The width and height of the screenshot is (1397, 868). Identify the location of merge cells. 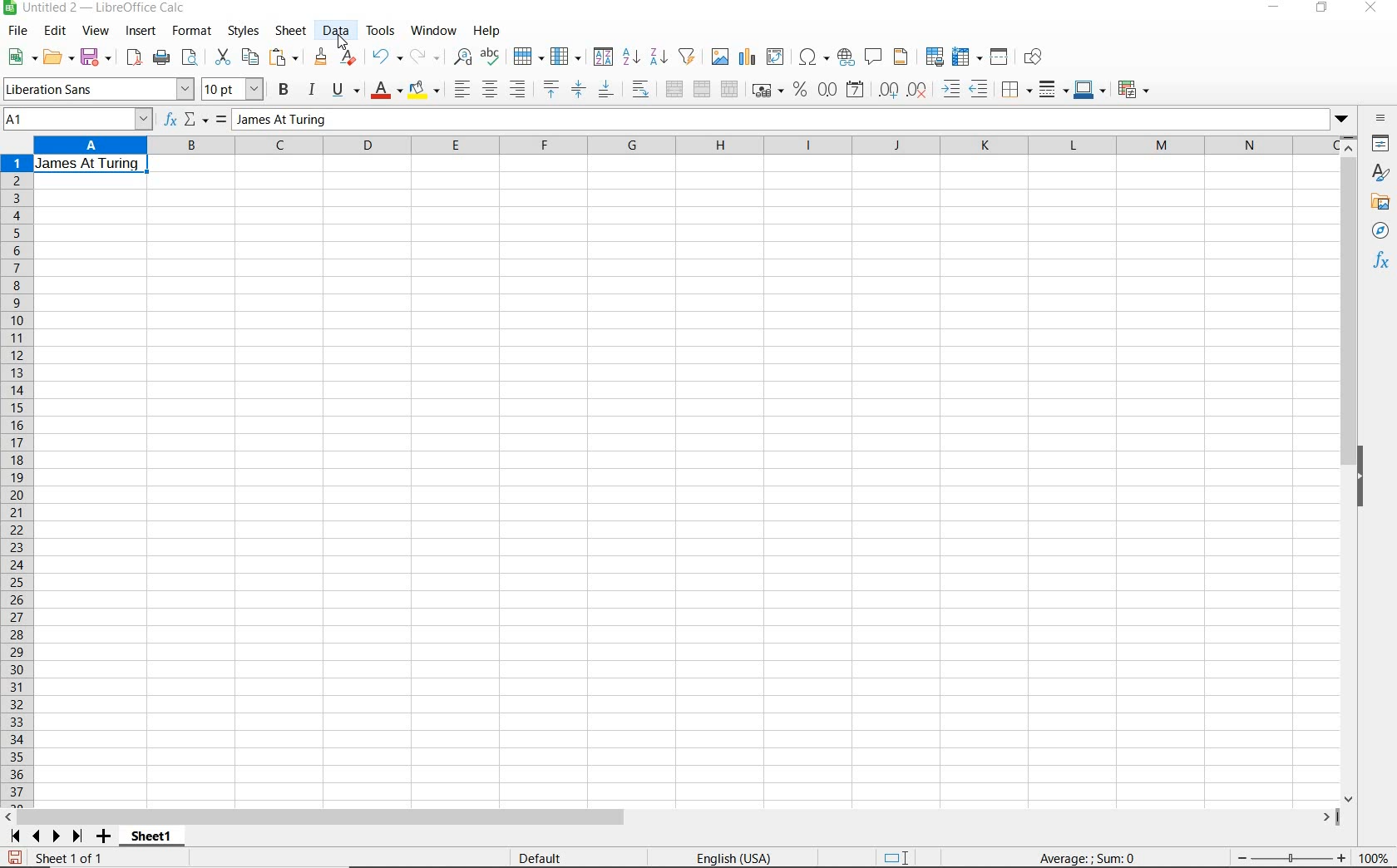
(703, 91).